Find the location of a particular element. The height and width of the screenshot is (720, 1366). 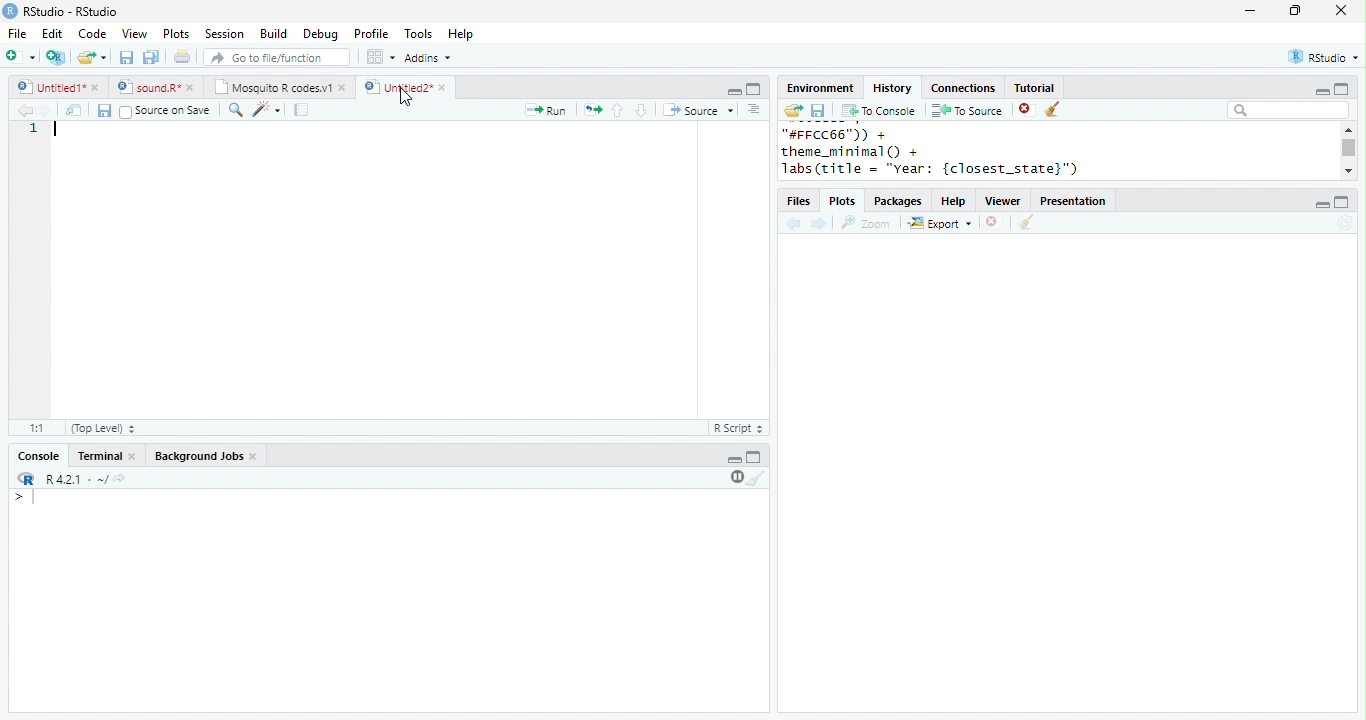

Help is located at coordinates (460, 33).